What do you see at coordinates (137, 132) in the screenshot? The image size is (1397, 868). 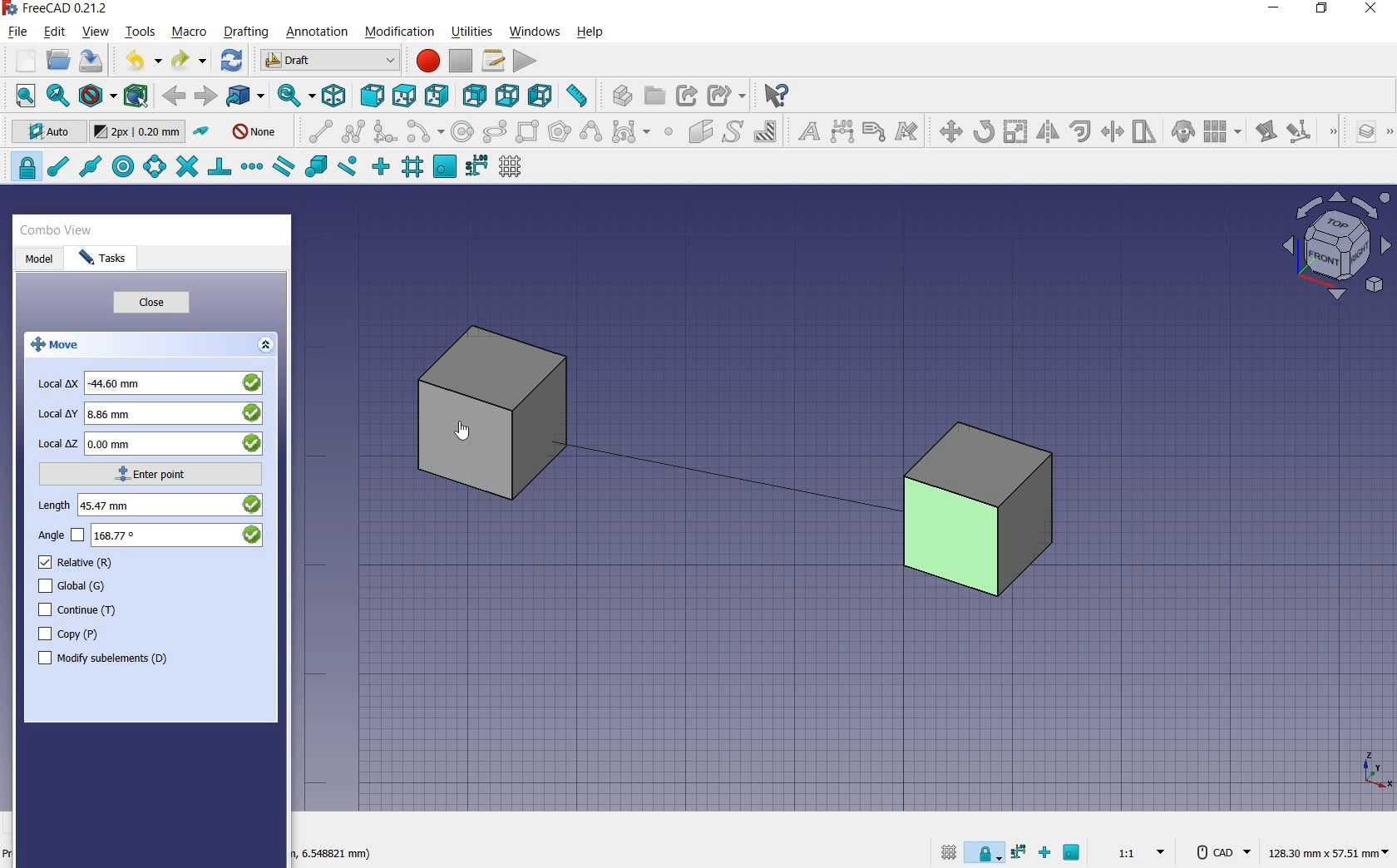 I see `change default size for new objects` at bounding box center [137, 132].